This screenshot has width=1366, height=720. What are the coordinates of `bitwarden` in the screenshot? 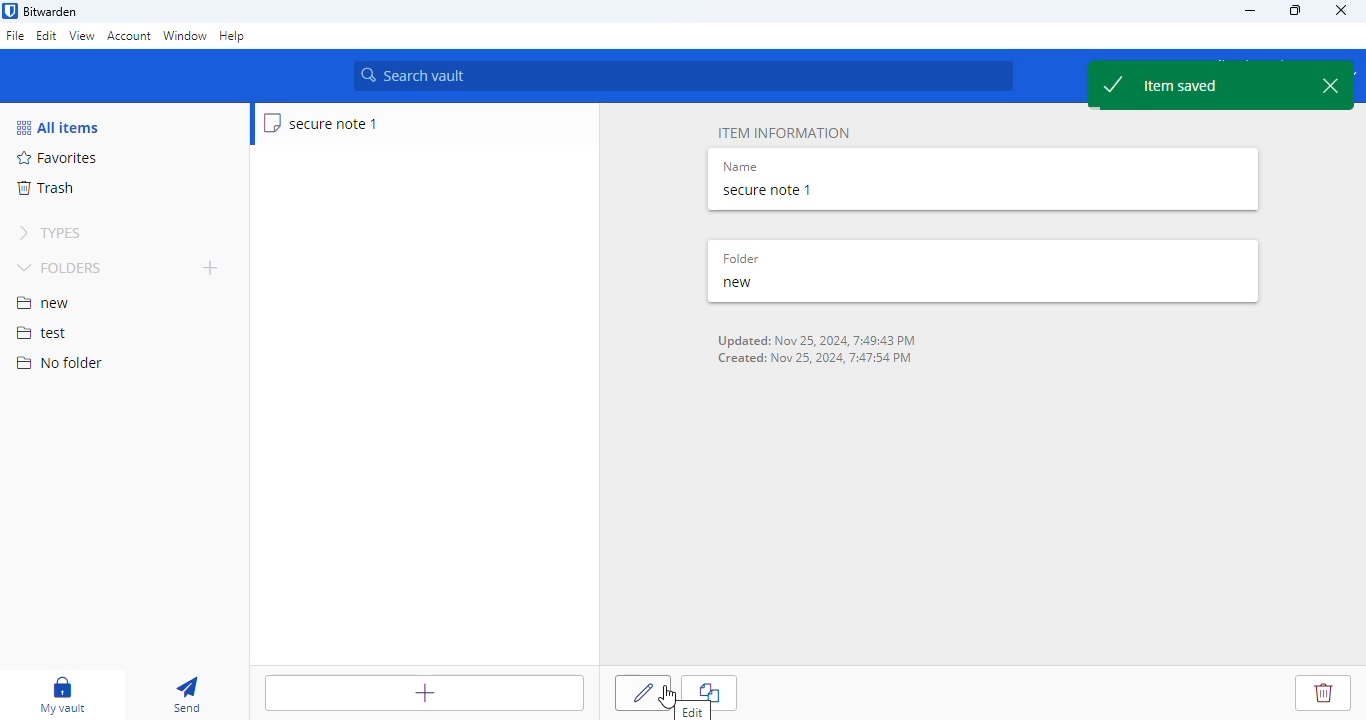 It's located at (51, 12).